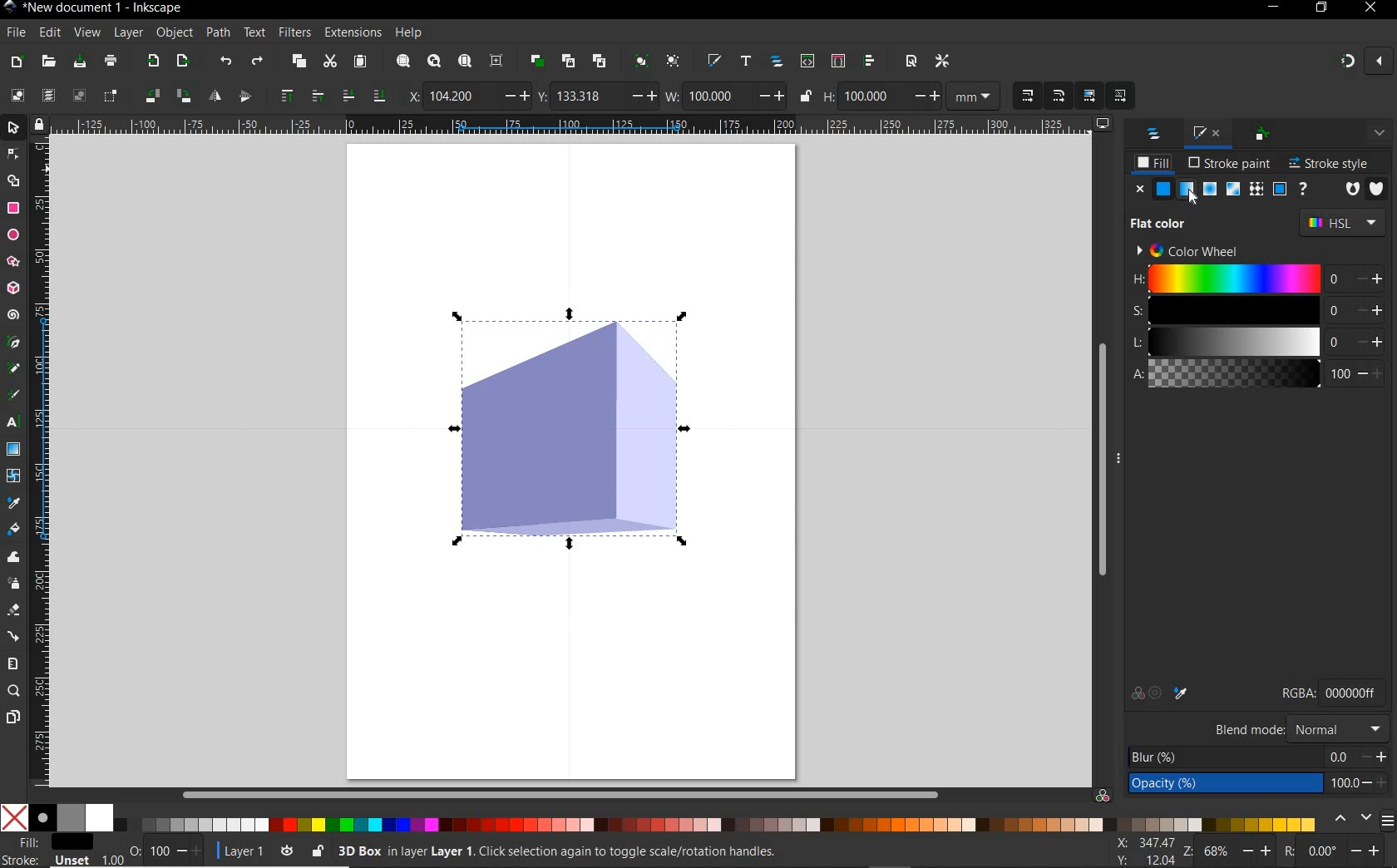 The width and height of the screenshot is (1397, 868). What do you see at coordinates (1378, 186) in the screenshot?
I see `FILL IS SOLID` at bounding box center [1378, 186].